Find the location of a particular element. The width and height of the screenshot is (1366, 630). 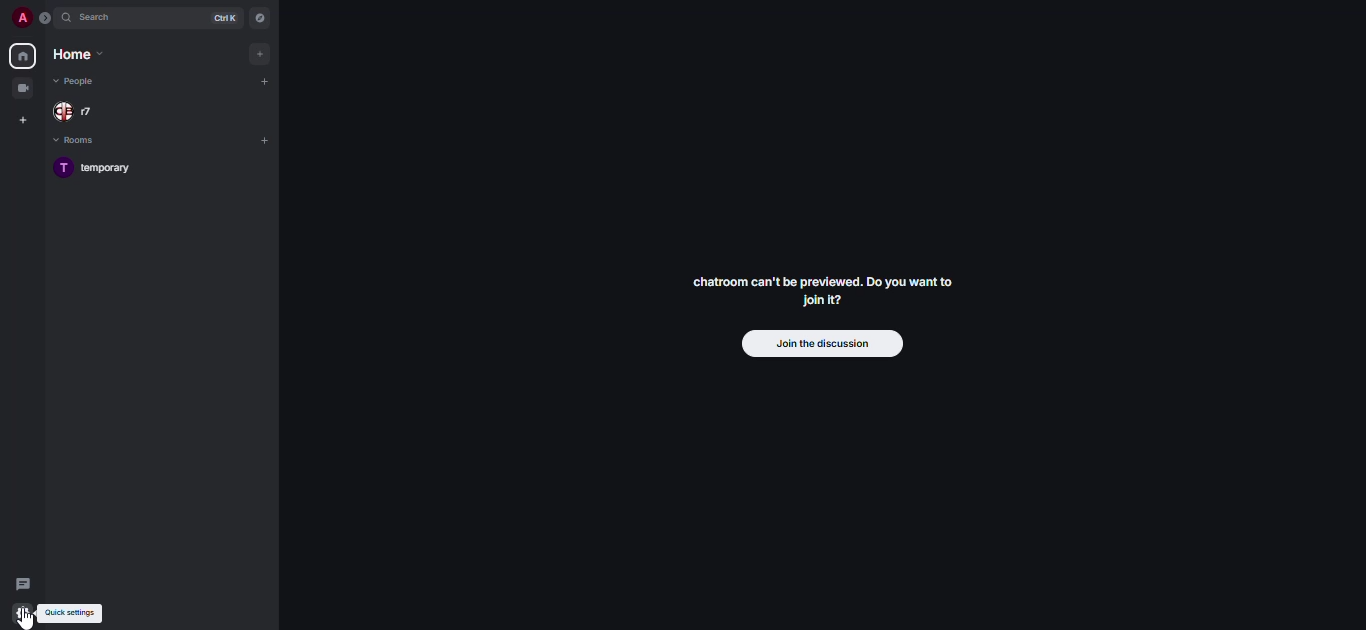

room is located at coordinates (98, 169).